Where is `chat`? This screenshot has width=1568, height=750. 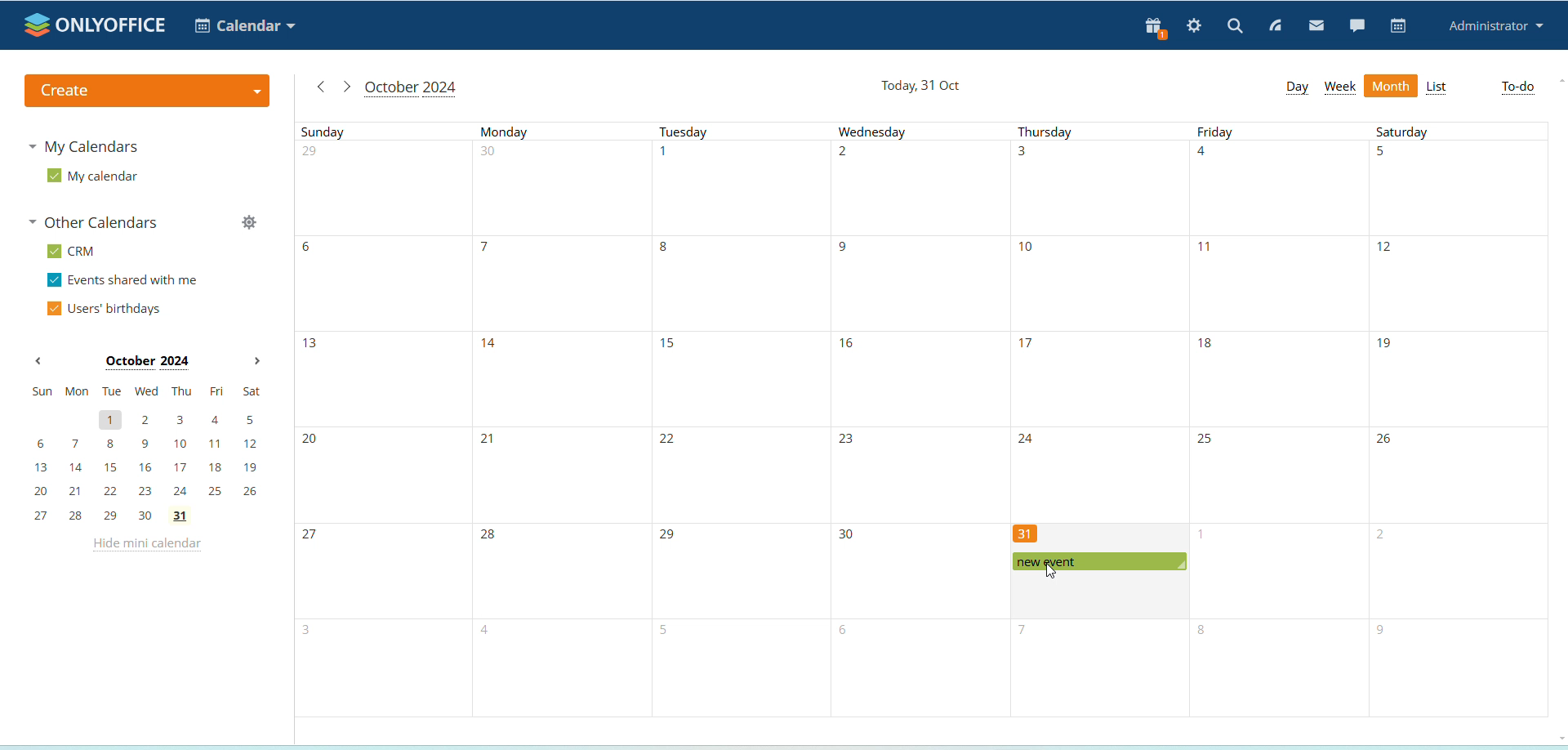 chat is located at coordinates (1356, 25).